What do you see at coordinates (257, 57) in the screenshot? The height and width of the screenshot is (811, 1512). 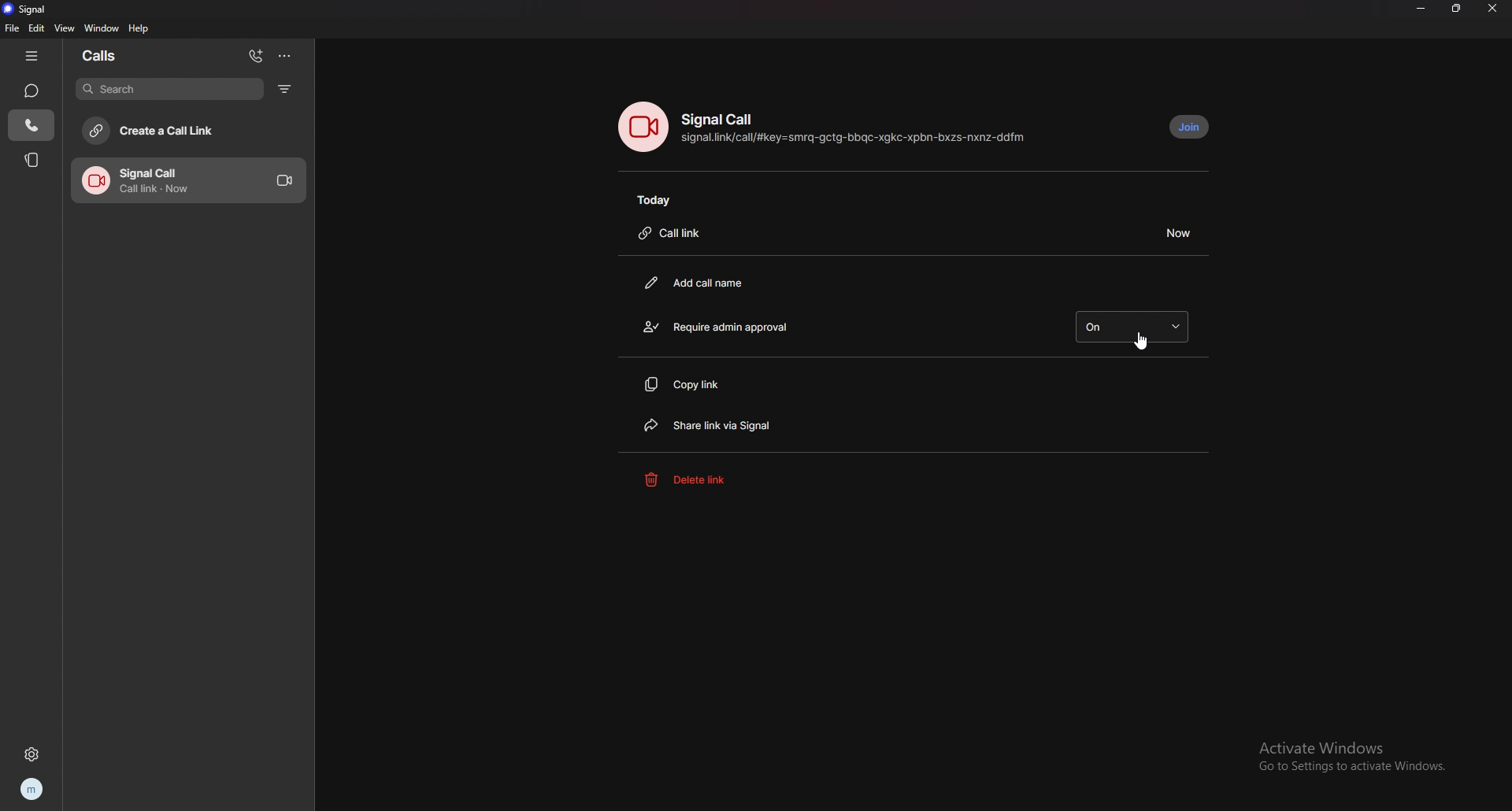 I see `add call` at bounding box center [257, 57].